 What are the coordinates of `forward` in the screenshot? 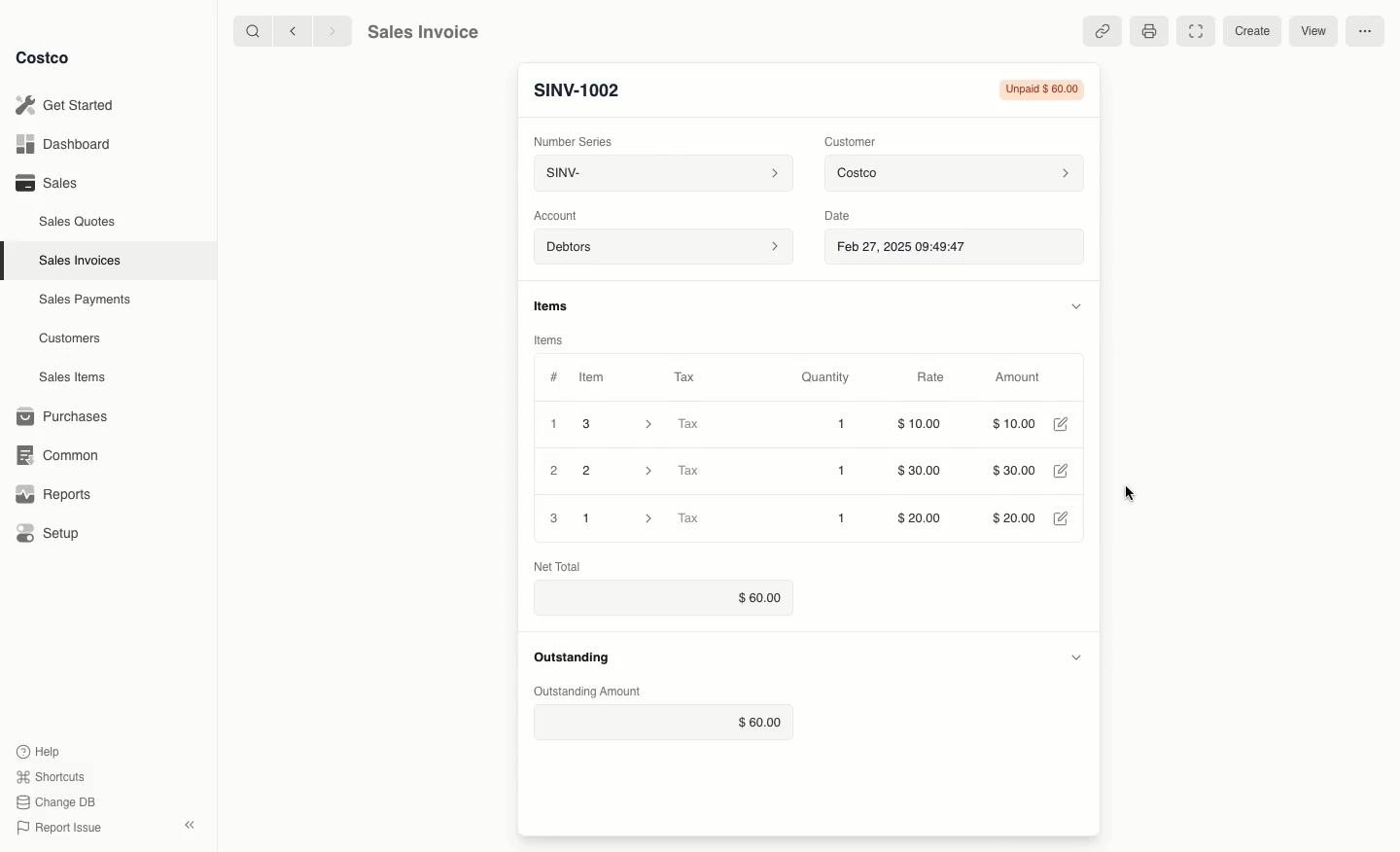 It's located at (330, 30).